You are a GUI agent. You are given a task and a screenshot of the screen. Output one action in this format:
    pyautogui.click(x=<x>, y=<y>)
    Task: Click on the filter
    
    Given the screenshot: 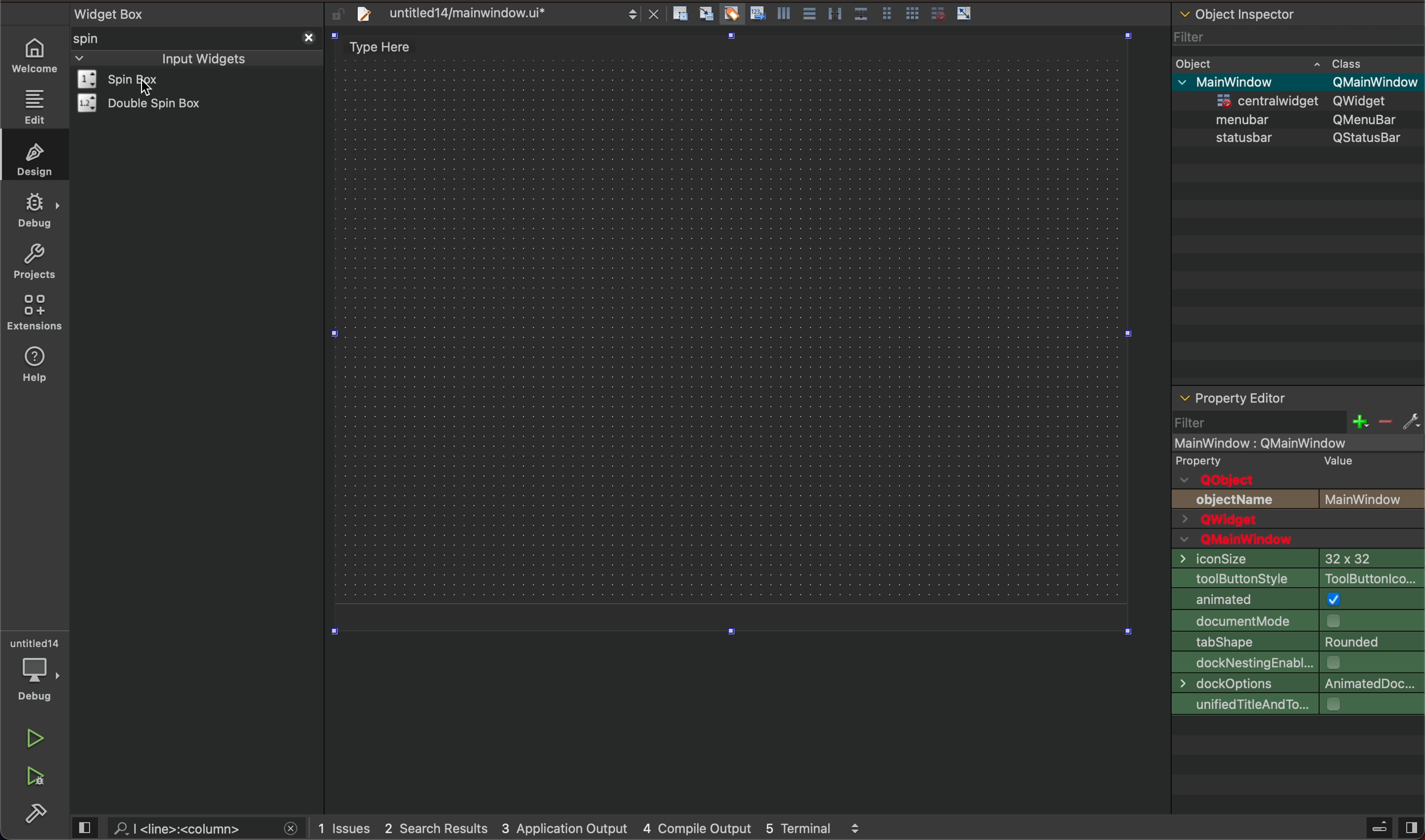 What is the action you would take?
    pyautogui.click(x=1299, y=422)
    